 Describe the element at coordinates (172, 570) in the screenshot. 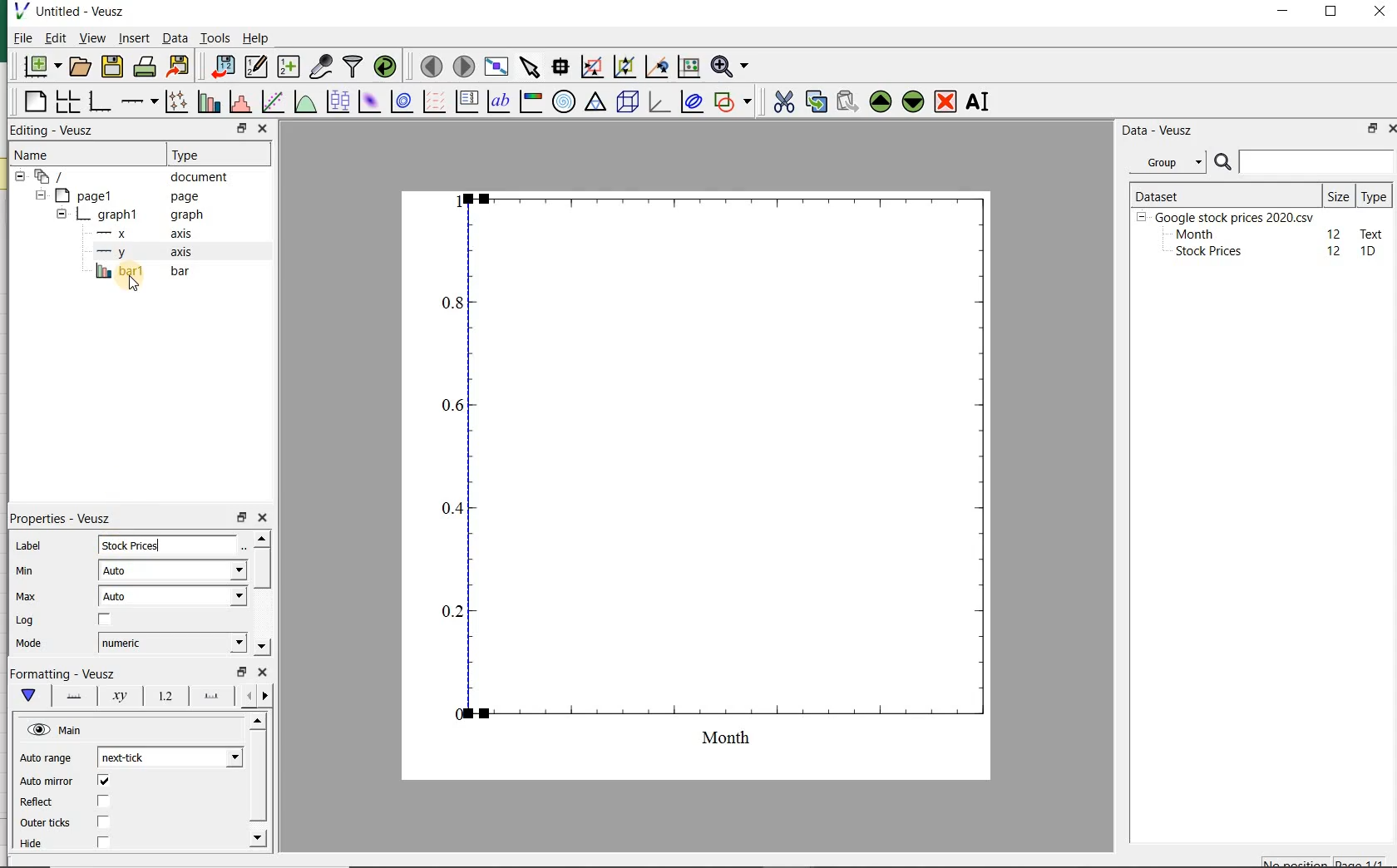

I see `Auto` at that location.